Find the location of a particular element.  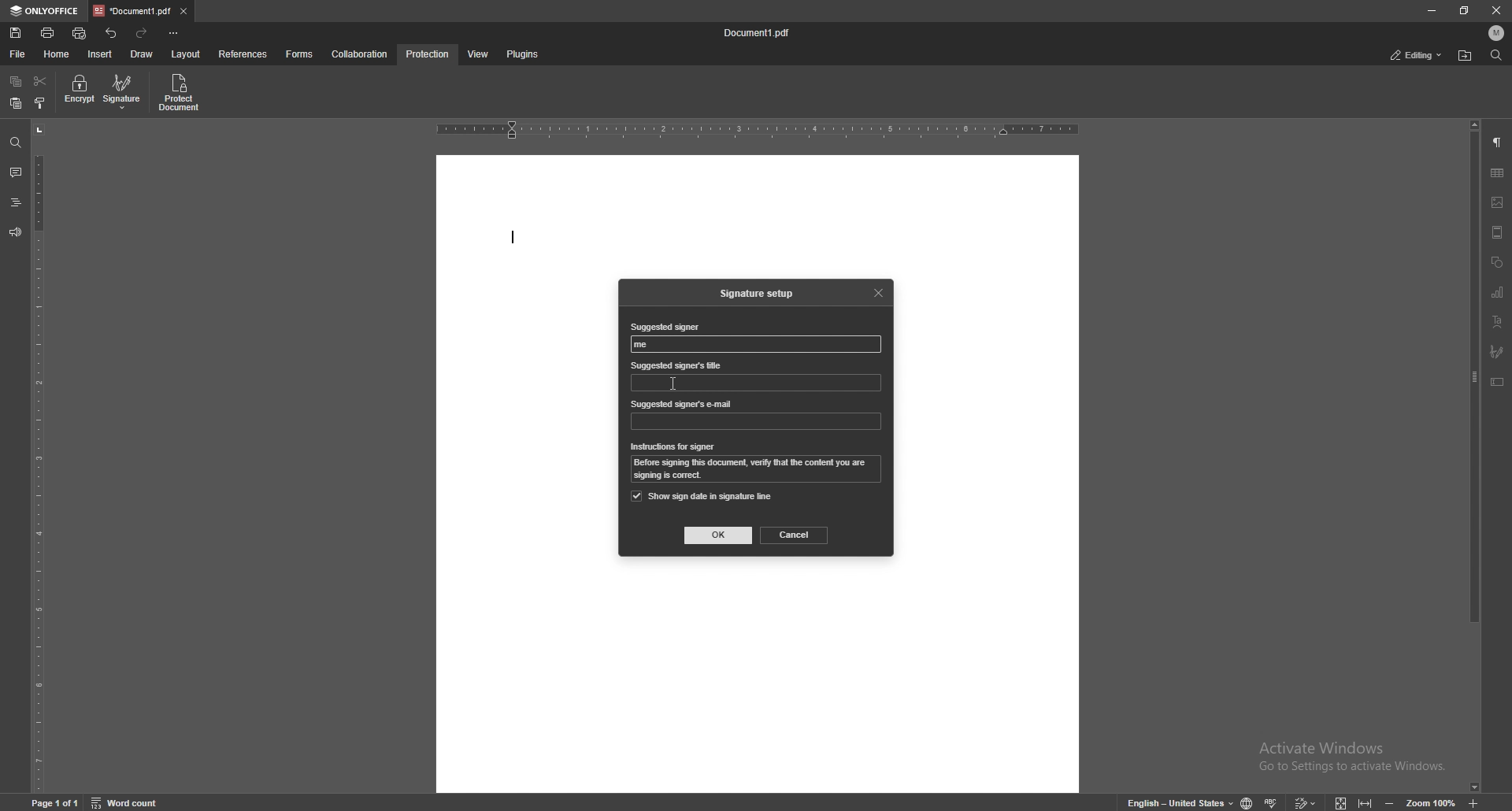

draw is located at coordinates (142, 54).